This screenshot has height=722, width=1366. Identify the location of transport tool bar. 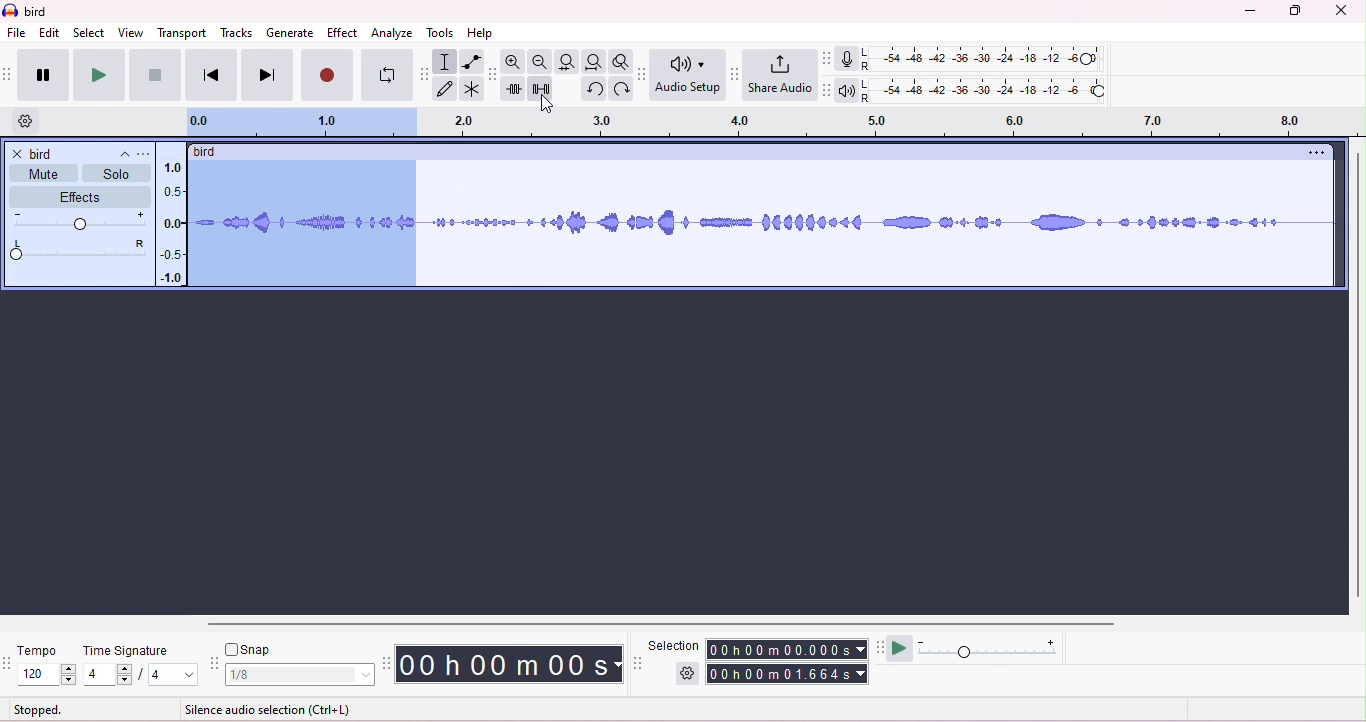
(9, 72).